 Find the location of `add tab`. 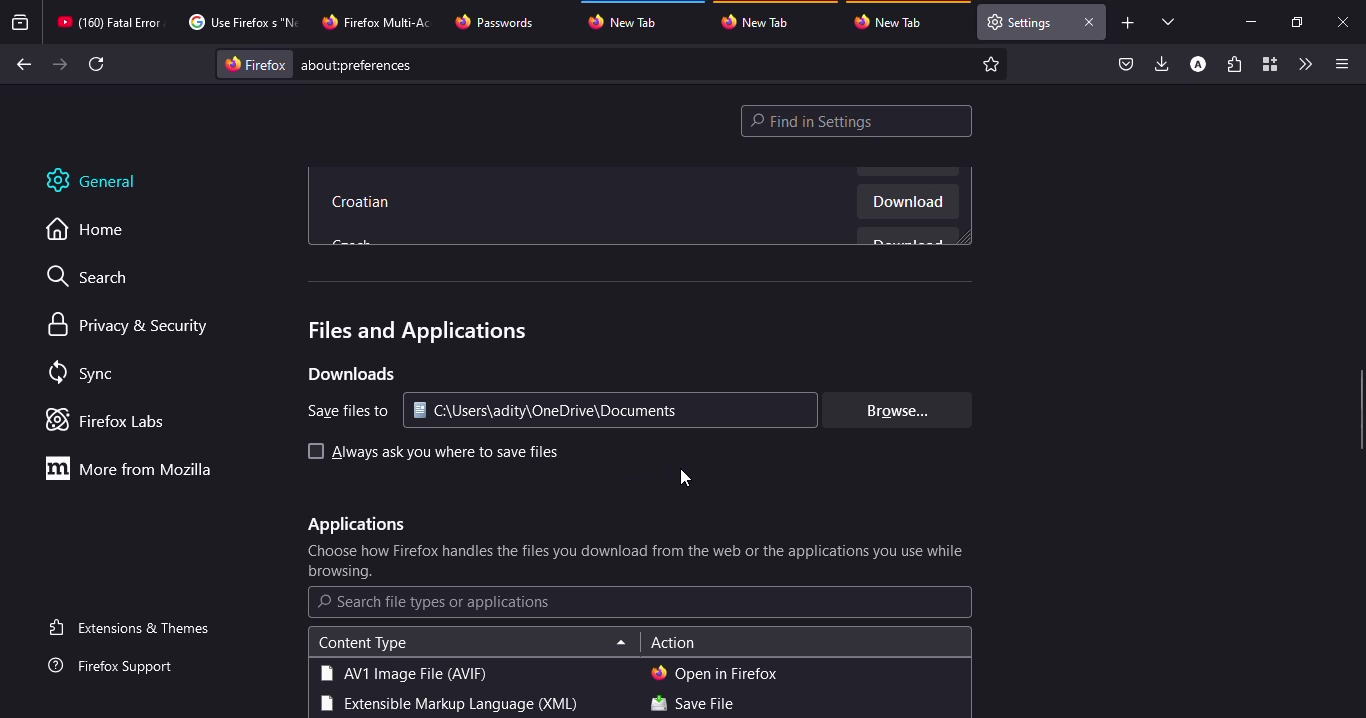

add tab is located at coordinates (1128, 23).